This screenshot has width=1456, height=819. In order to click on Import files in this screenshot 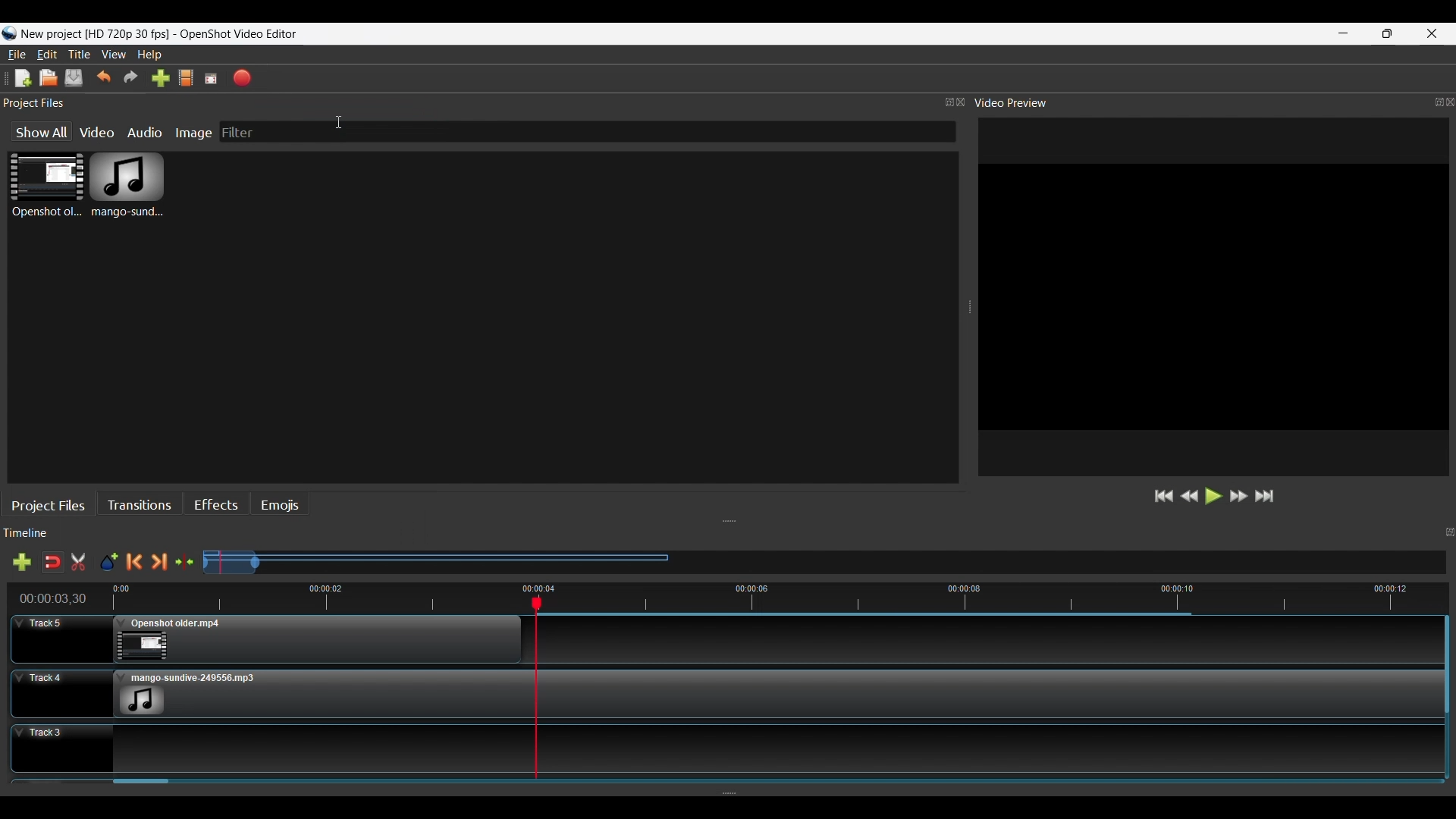, I will do `click(161, 78)`.